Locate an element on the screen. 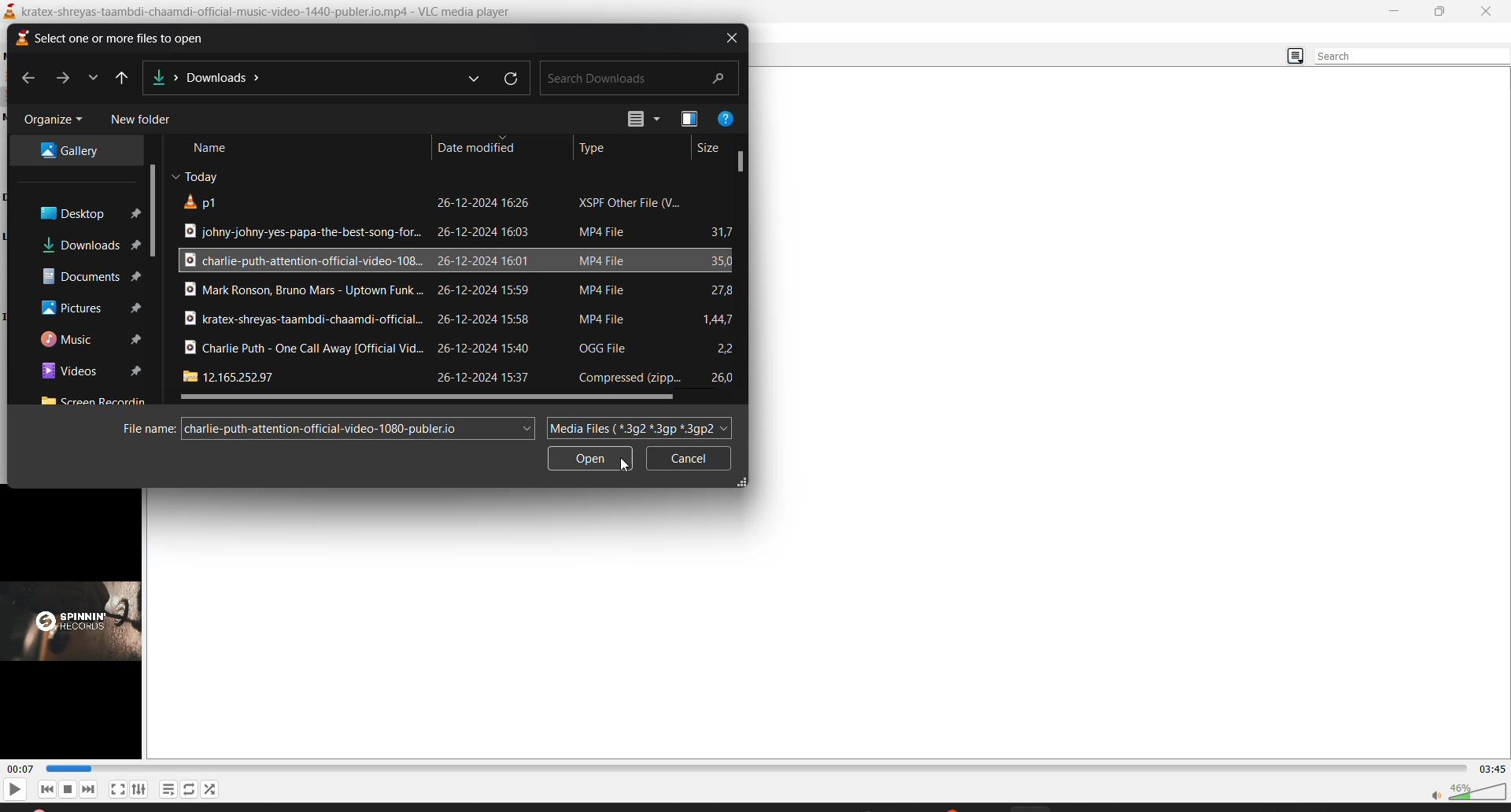 Image resolution: width=1511 pixels, height=812 pixels. previous locations is located at coordinates (471, 81).